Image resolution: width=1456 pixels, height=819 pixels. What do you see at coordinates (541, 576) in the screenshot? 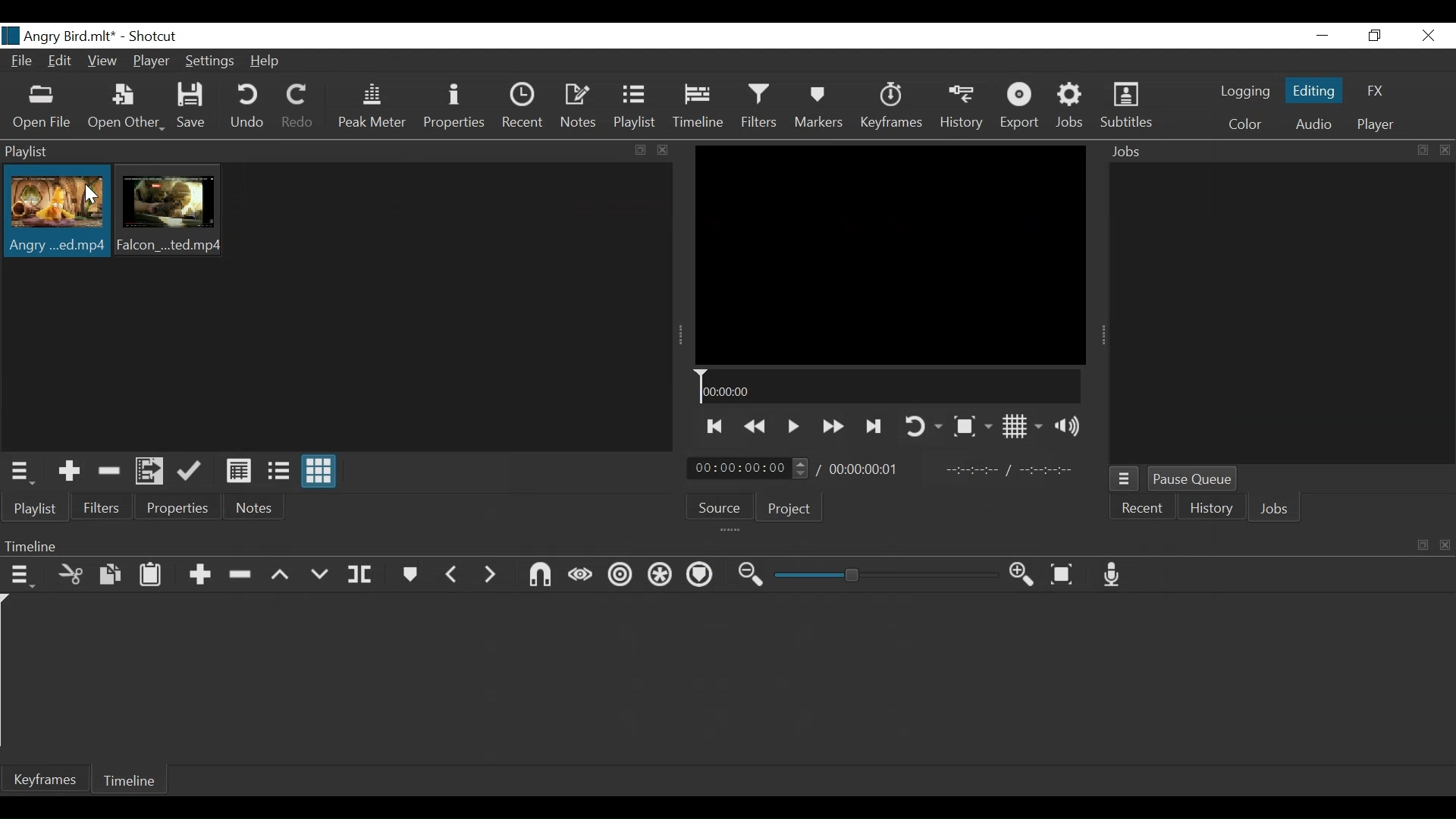
I see `Snap` at bounding box center [541, 576].